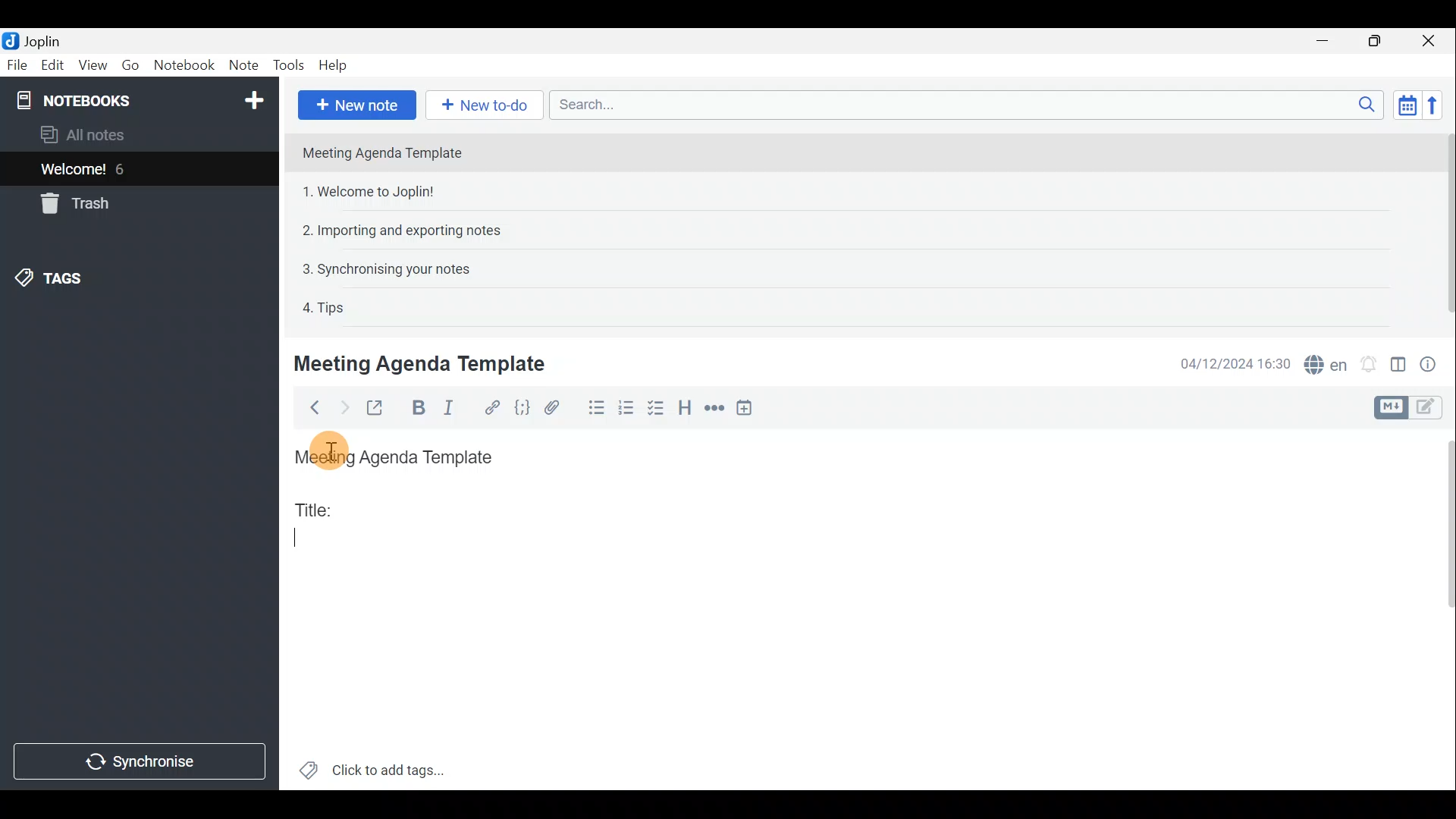  Describe the element at coordinates (331, 448) in the screenshot. I see `` at that location.